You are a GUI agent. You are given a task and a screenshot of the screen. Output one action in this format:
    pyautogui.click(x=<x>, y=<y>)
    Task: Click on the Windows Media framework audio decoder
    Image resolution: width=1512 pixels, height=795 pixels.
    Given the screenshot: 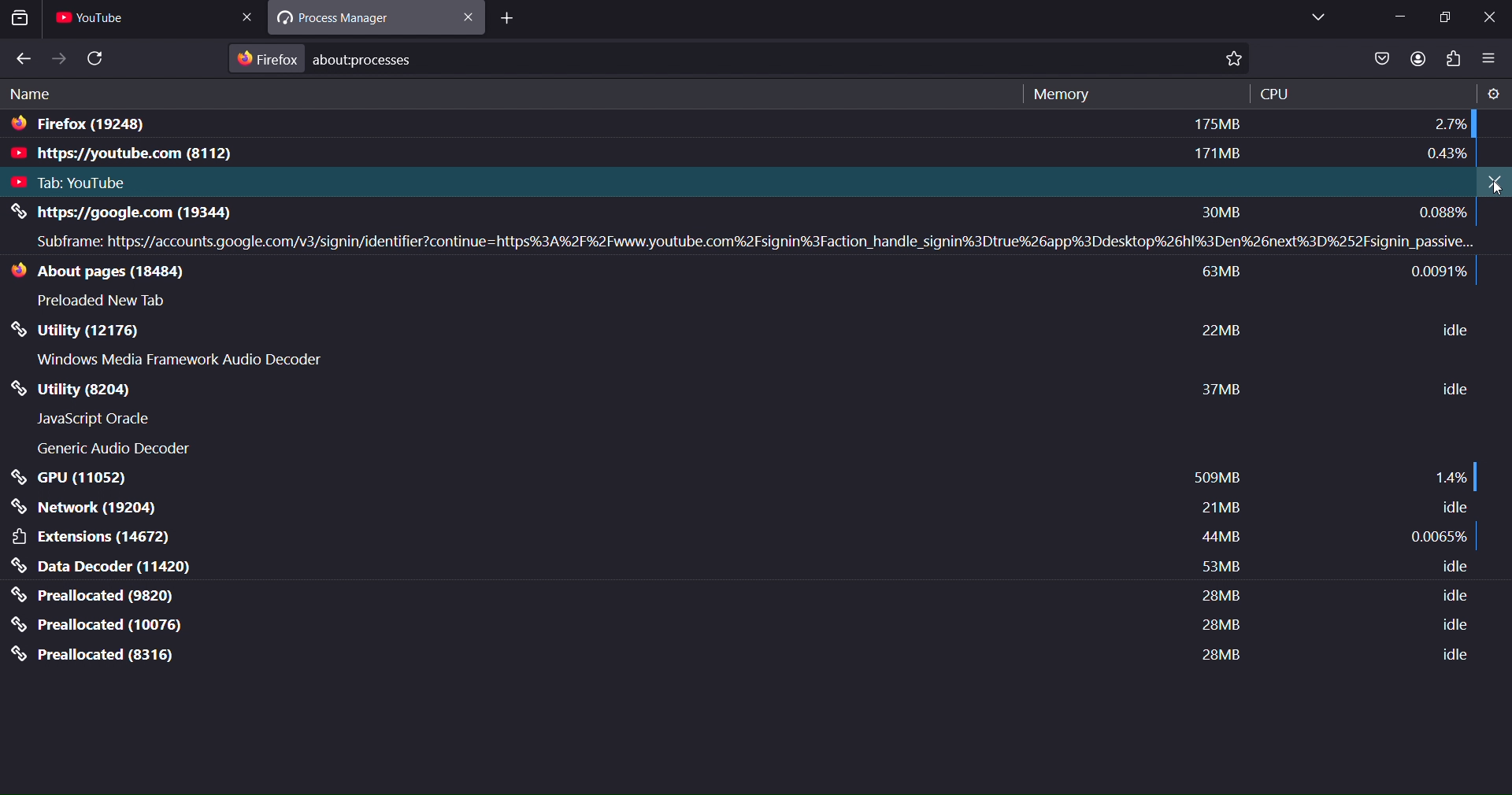 What is the action you would take?
    pyautogui.click(x=183, y=362)
    